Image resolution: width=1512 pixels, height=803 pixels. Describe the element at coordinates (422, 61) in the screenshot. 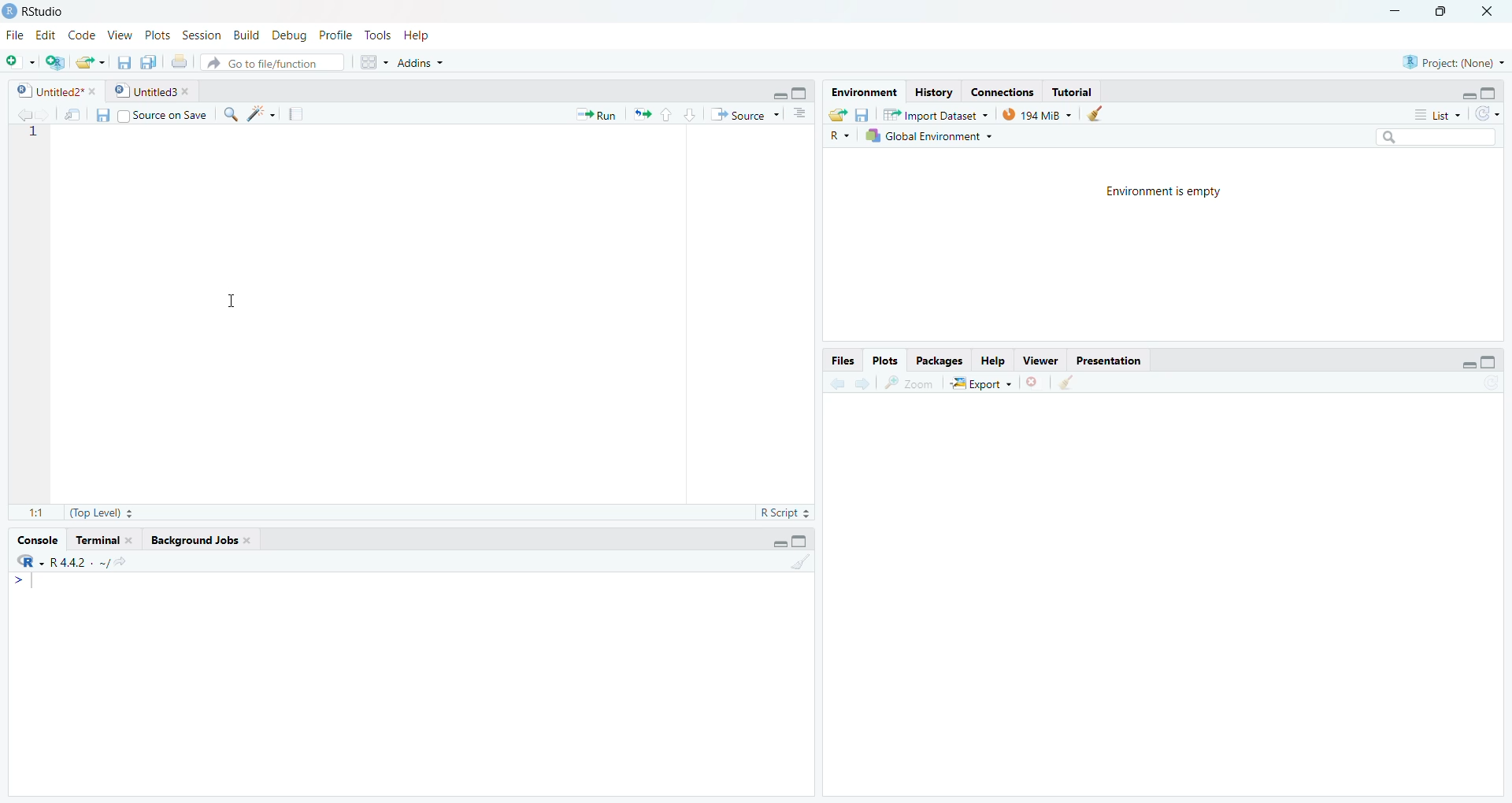

I see ` Addins ` at that location.